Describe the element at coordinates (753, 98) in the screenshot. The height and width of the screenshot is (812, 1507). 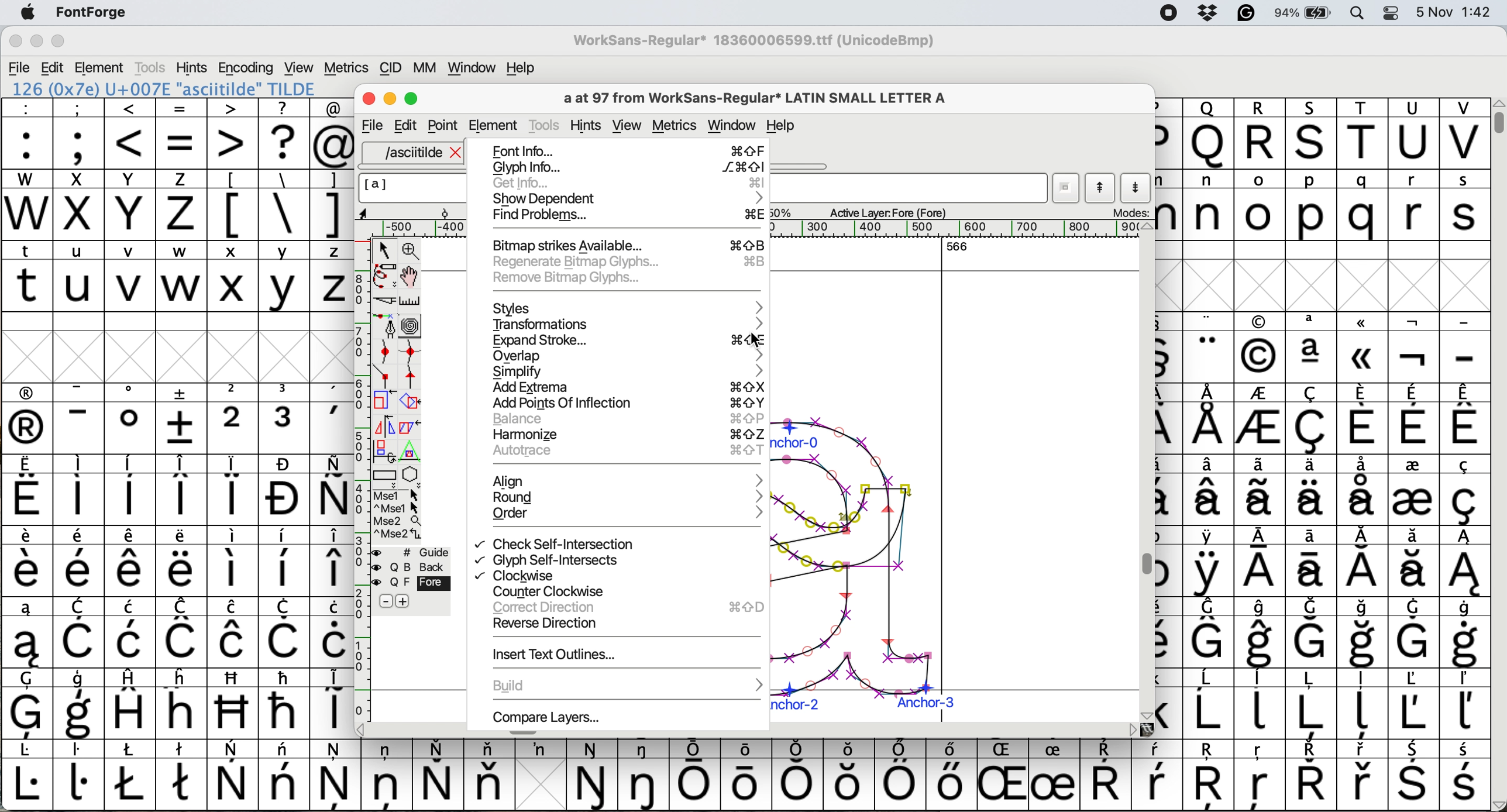
I see `glyph name` at that location.